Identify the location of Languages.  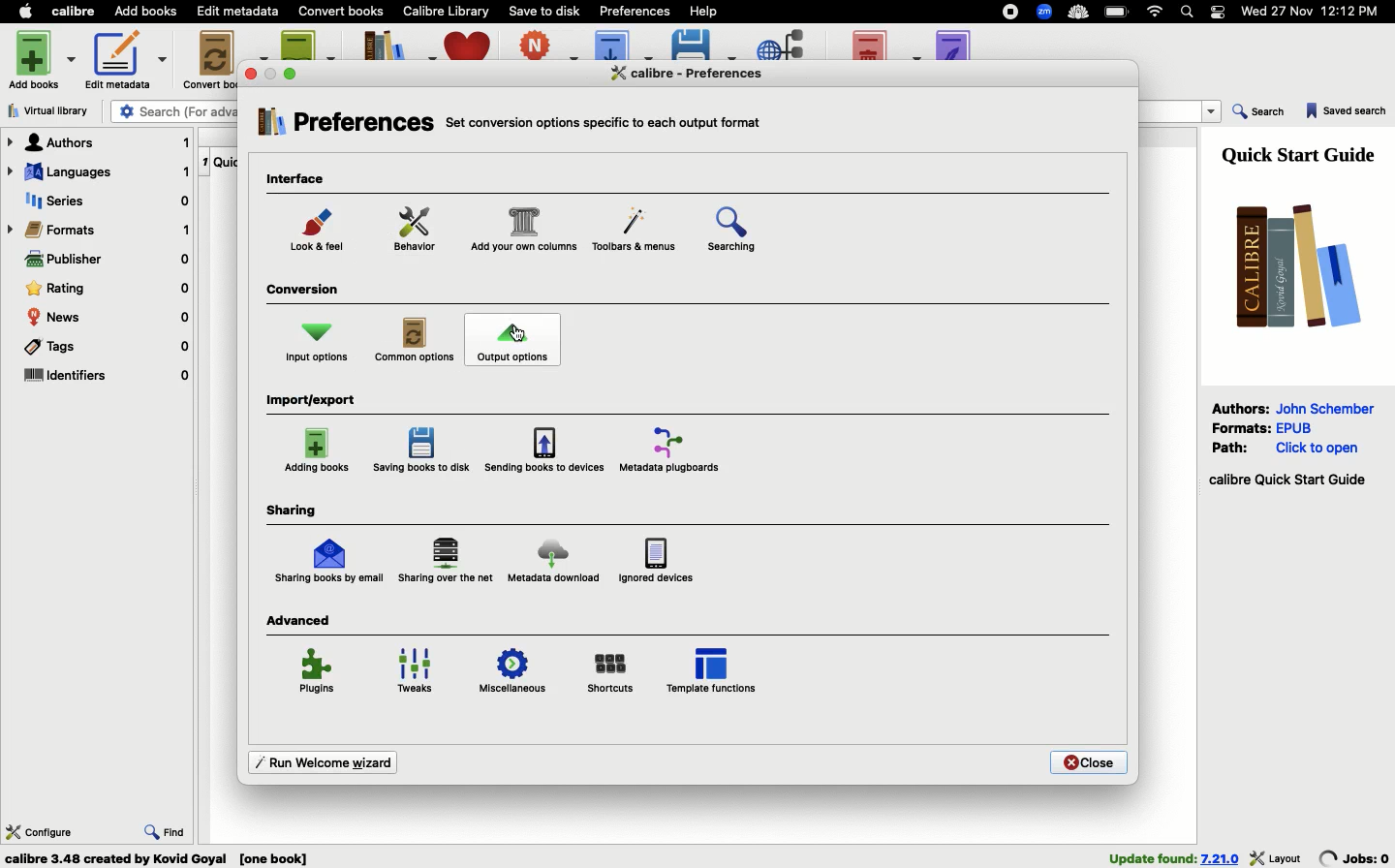
(98, 173).